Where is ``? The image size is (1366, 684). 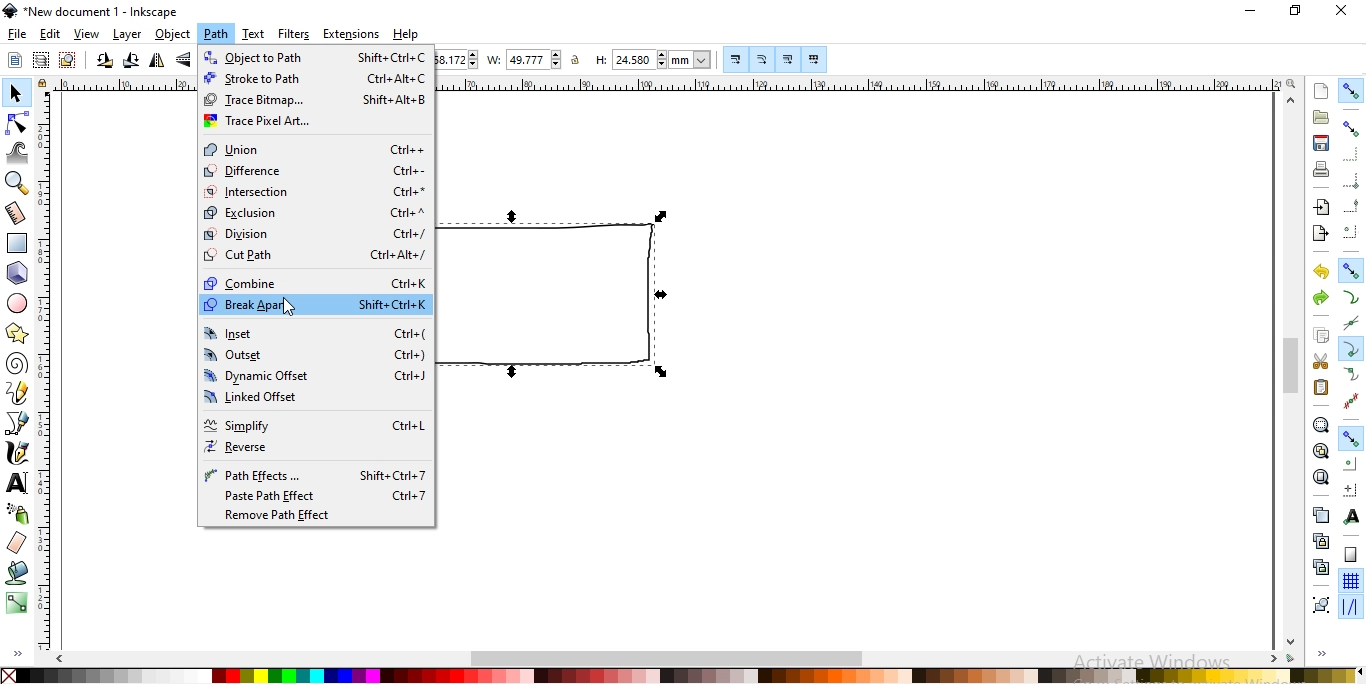  is located at coordinates (764, 58).